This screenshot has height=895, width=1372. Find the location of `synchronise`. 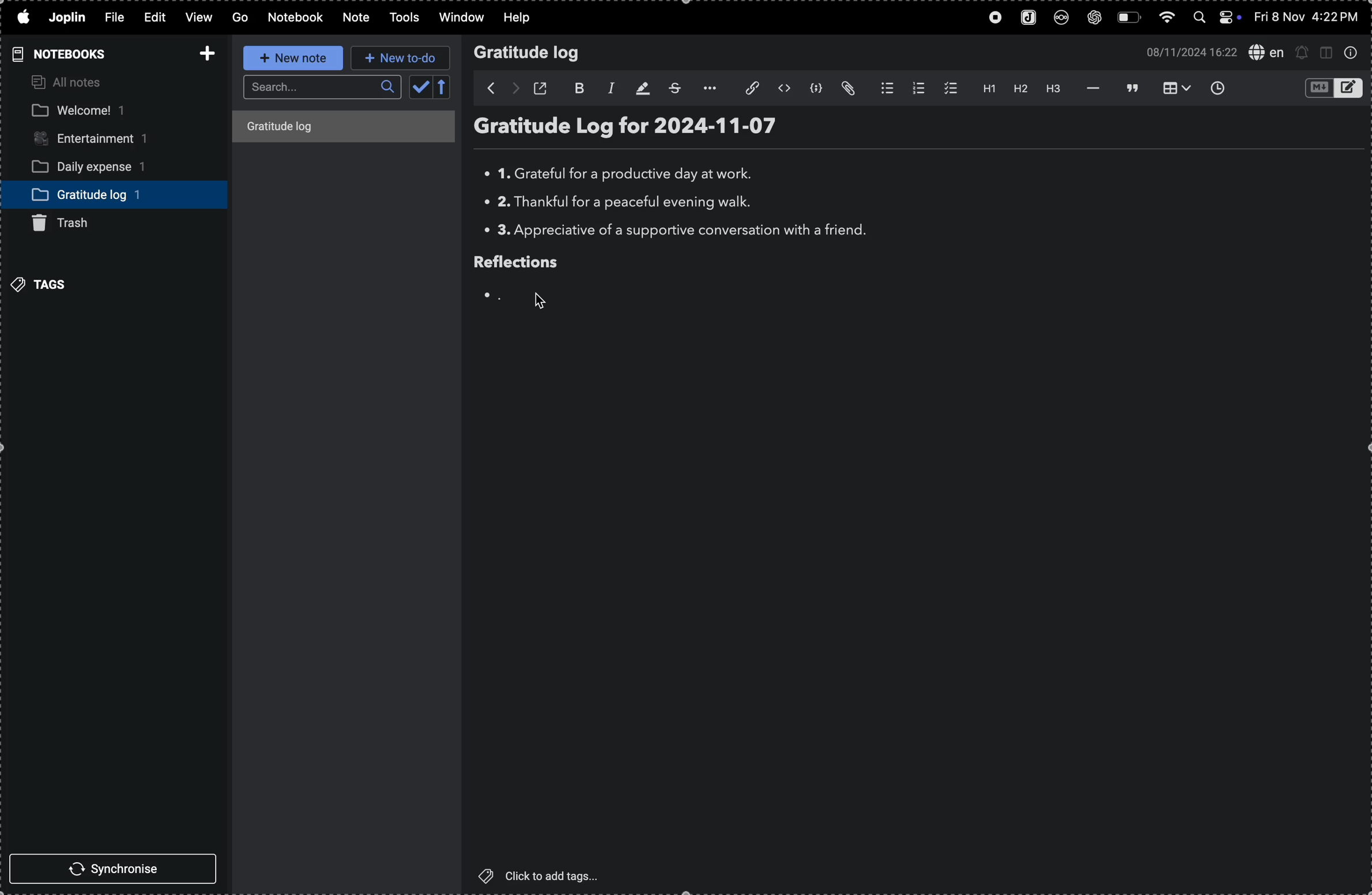

synchronise is located at coordinates (116, 869).